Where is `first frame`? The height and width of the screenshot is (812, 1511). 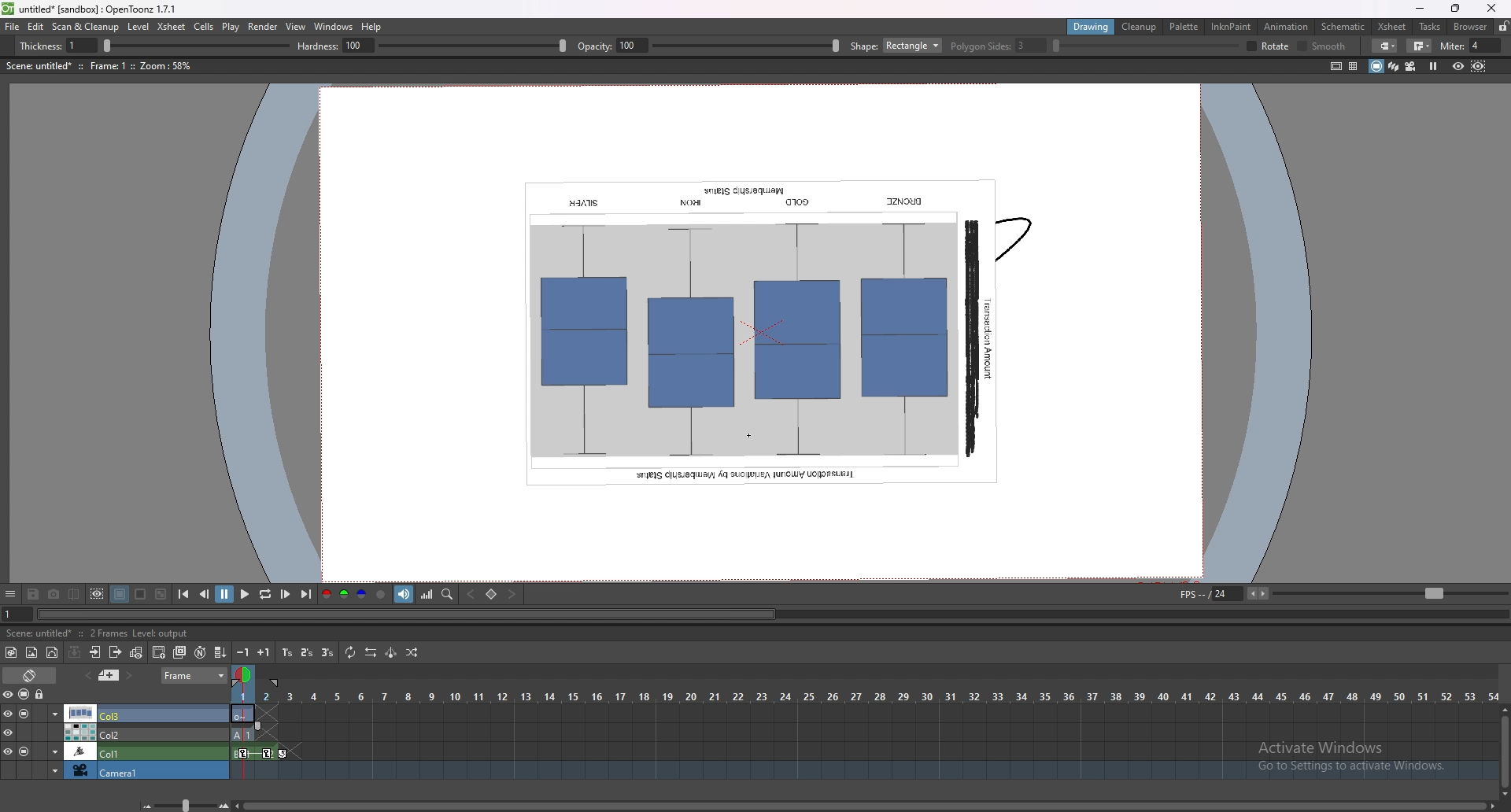 first frame is located at coordinates (183, 594).